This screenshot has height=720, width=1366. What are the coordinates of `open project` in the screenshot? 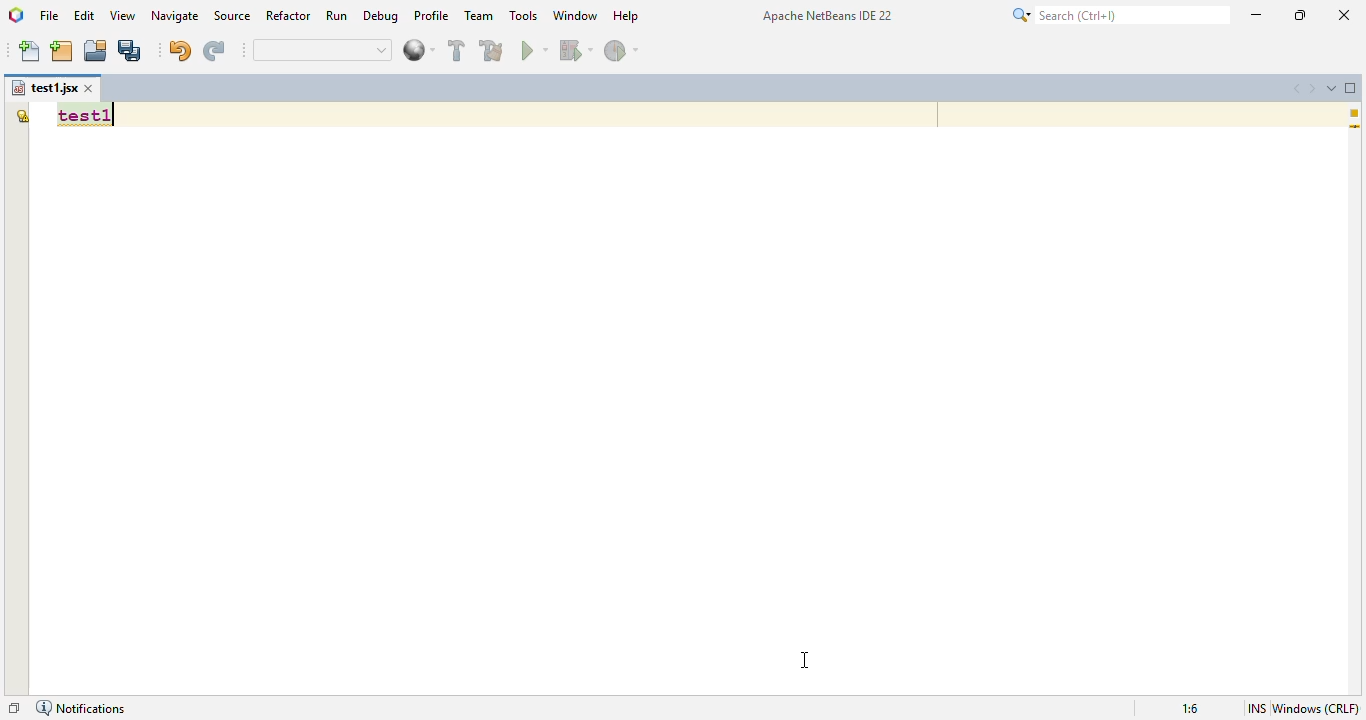 It's located at (96, 51).